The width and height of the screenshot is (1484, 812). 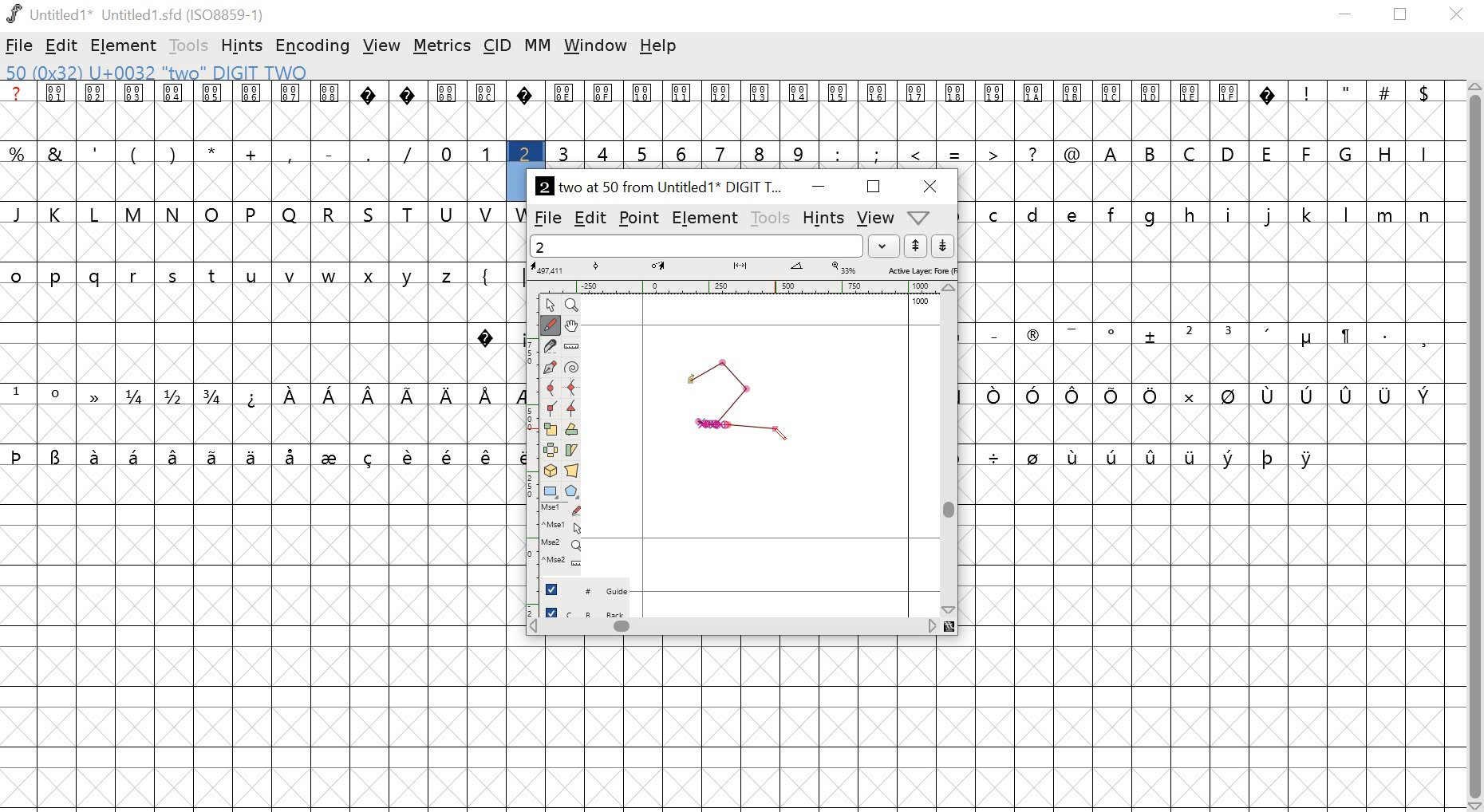 I want to click on guide, so click(x=589, y=588).